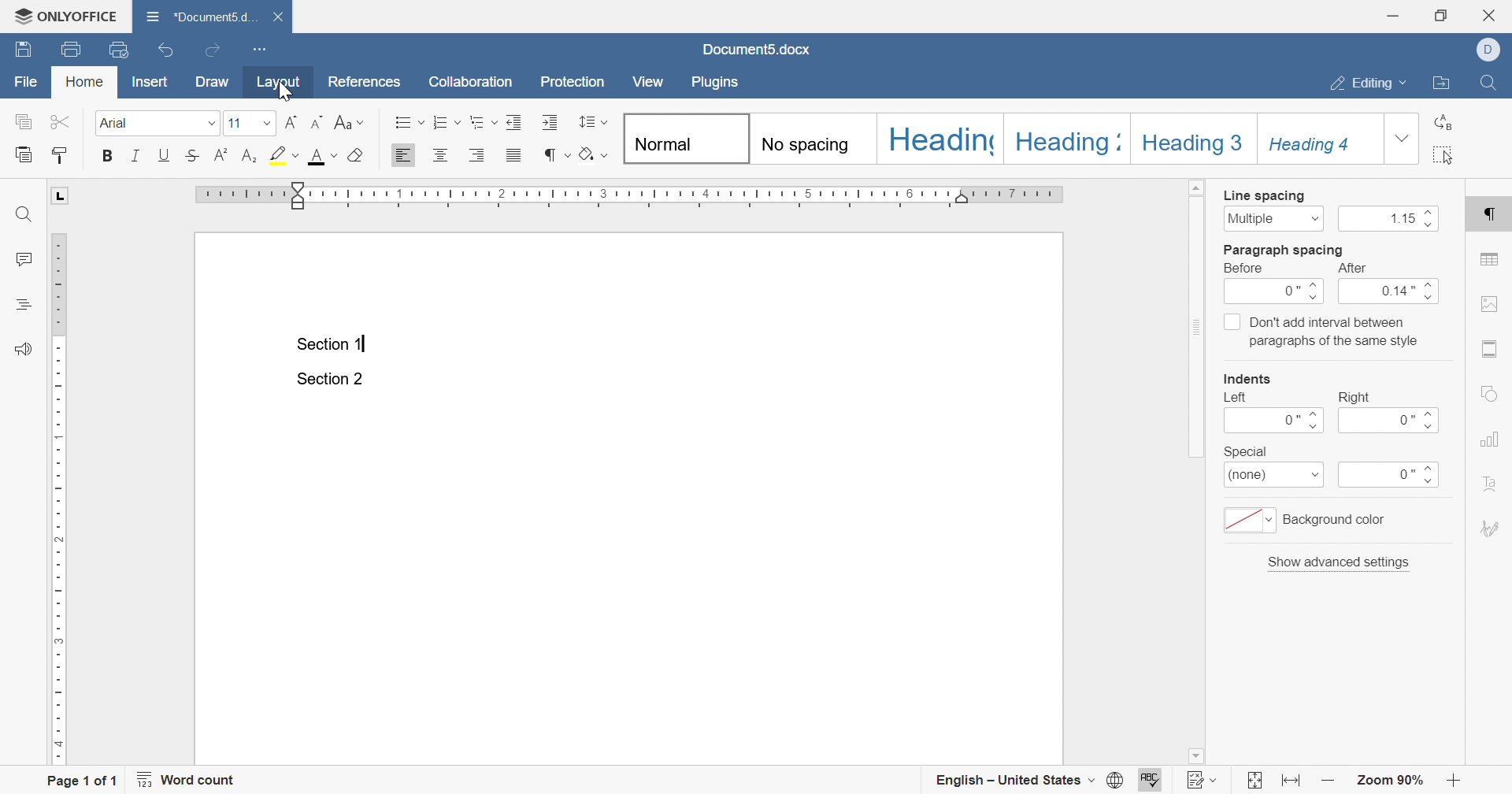  What do you see at coordinates (1492, 350) in the screenshot?
I see `header & footer settings` at bounding box center [1492, 350].